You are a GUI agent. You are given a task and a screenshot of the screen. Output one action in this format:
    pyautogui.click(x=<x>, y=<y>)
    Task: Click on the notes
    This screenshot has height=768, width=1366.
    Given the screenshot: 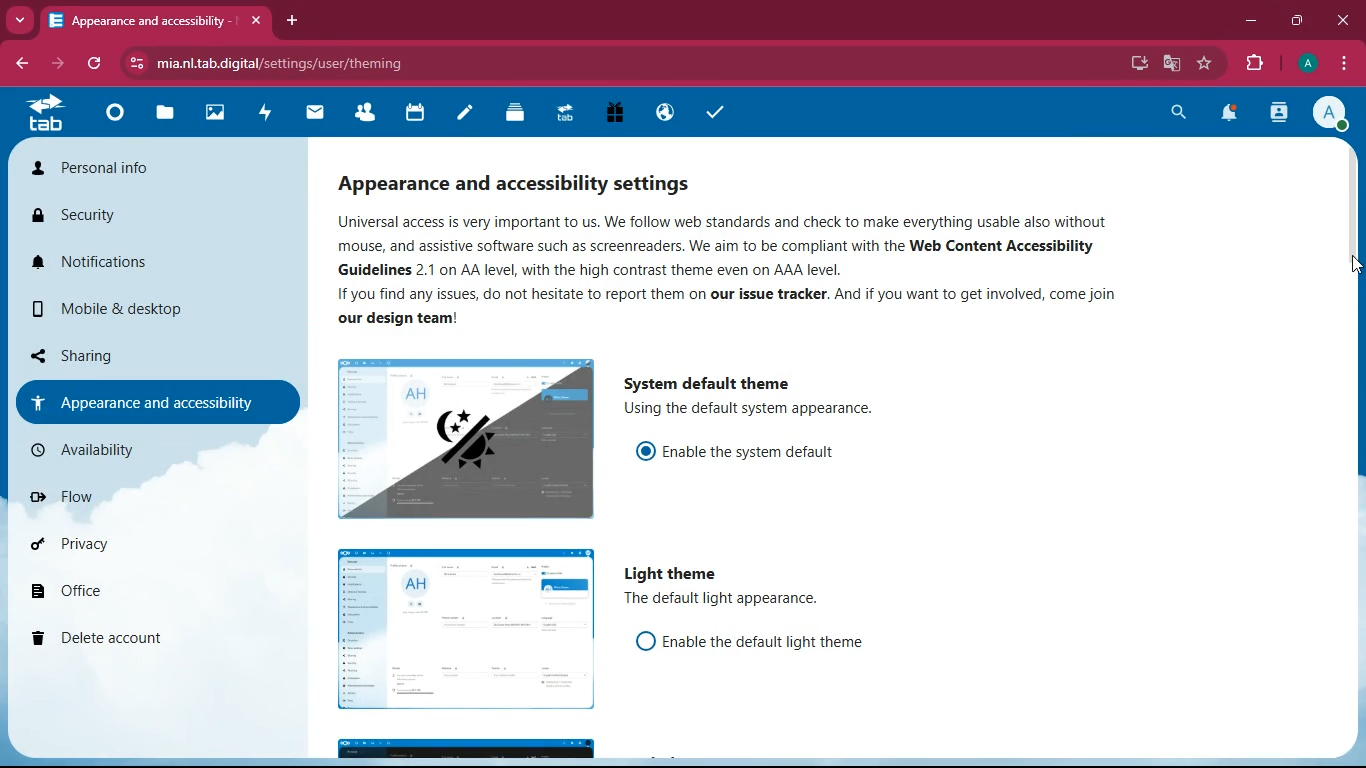 What is the action you would take?
    pyautogui.click(x=461, y=115)
    